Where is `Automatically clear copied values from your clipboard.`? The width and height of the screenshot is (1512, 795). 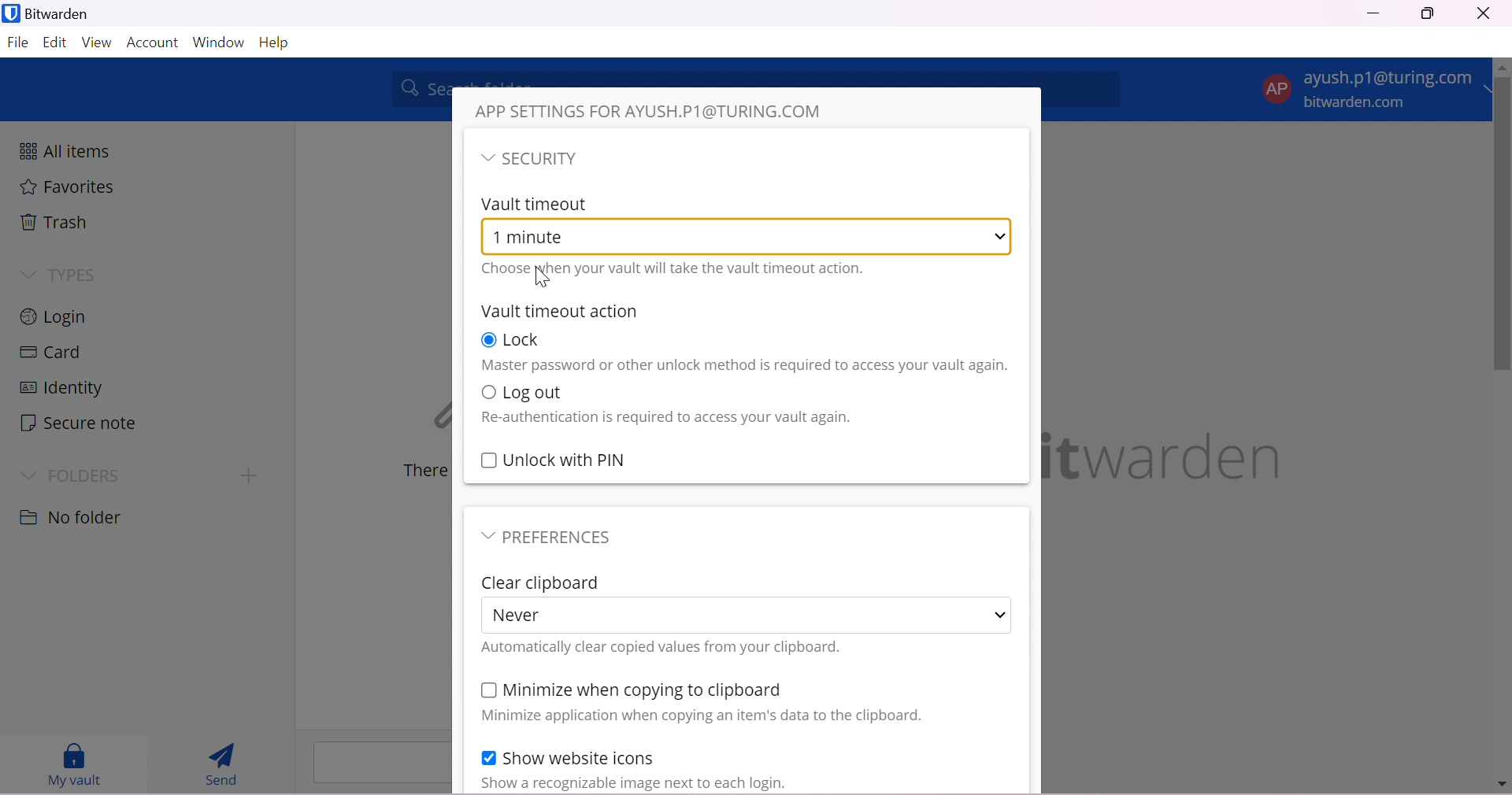 Automatically clear copied values from your clipboard. is located at coordinates (660, 647).